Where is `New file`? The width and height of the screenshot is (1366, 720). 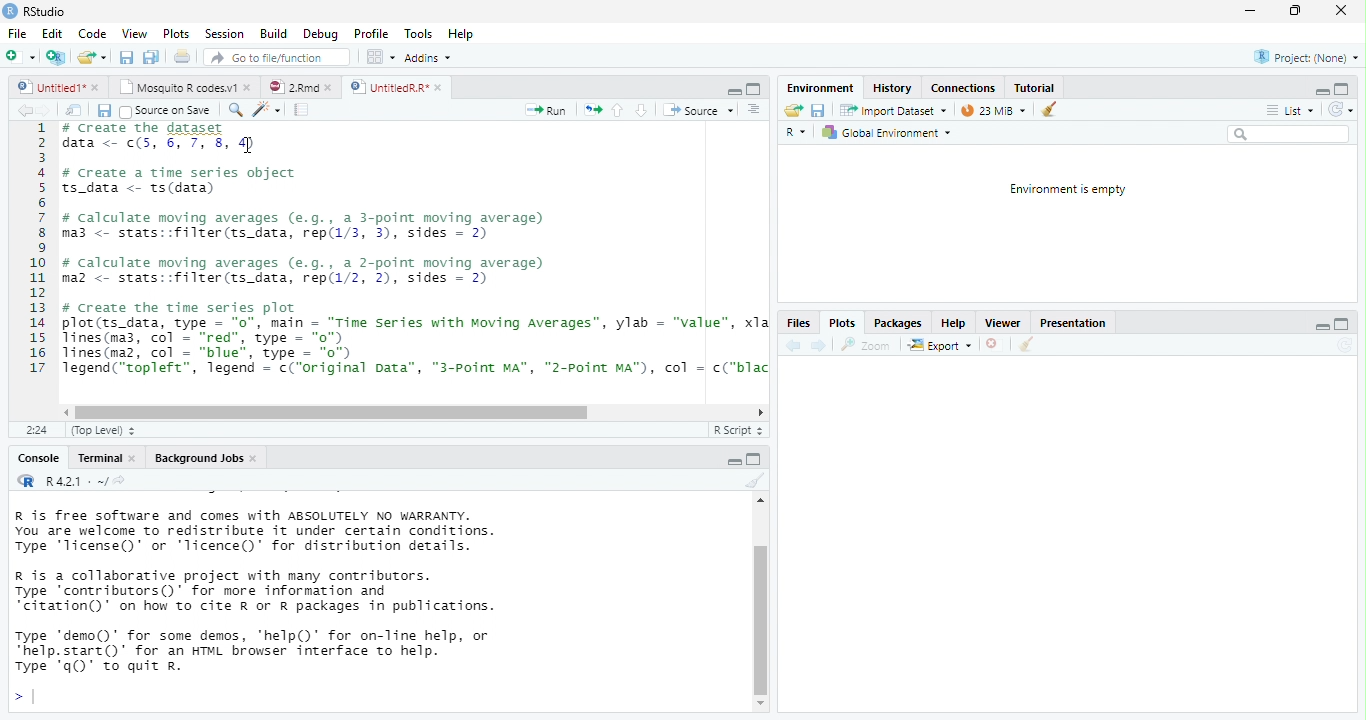
New file is located at coordinates (19, 57).